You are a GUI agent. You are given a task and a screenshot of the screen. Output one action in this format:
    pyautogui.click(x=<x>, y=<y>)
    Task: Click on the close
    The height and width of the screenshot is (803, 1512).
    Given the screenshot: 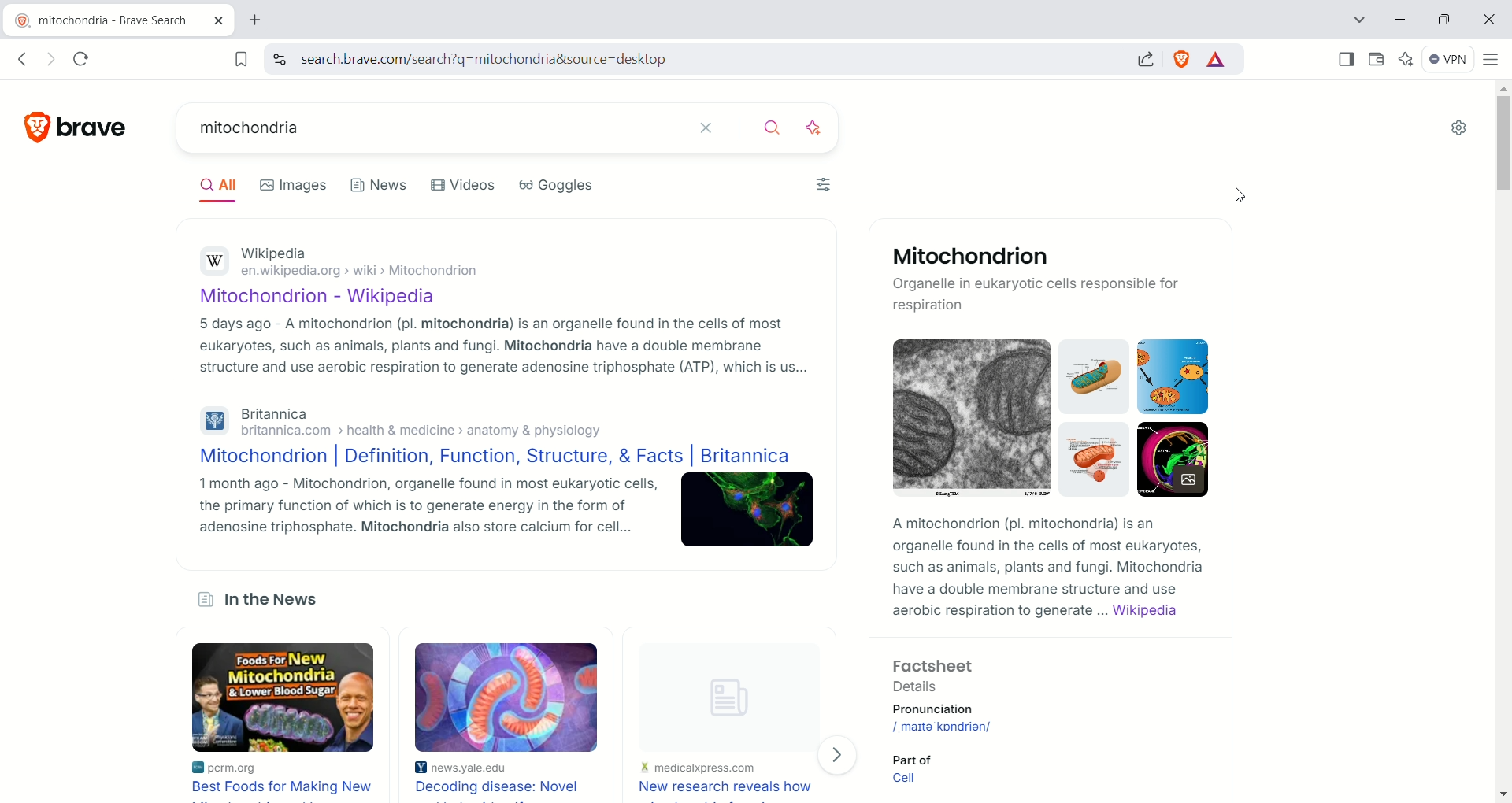 What is the action you would take?
    pyautogui.click(x=219, y=22)
    